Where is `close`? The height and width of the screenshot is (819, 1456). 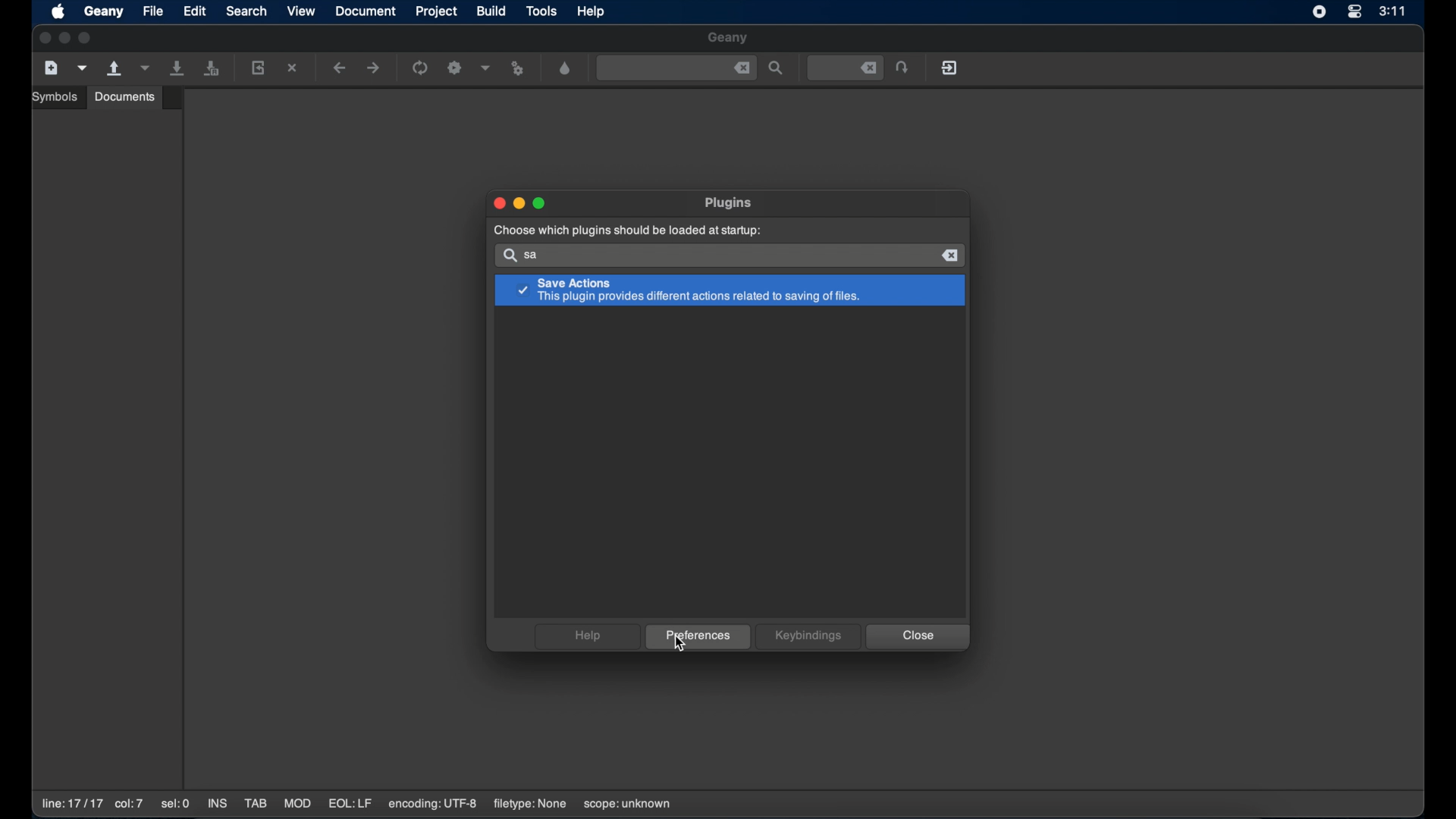 close is located at coordinates (43, 39).